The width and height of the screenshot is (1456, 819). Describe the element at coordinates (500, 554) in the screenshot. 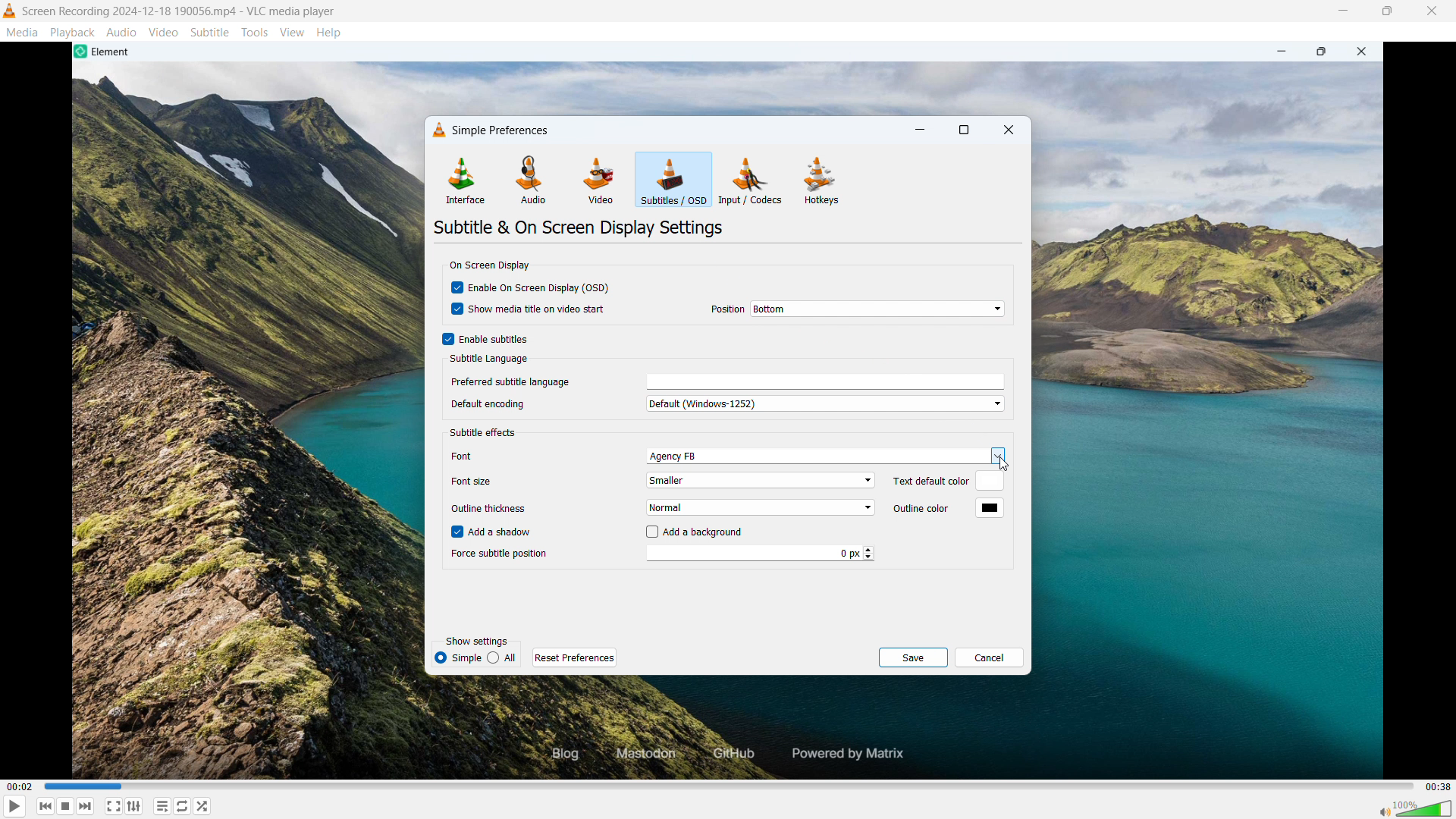

I see `Force subtitle position` at that location.